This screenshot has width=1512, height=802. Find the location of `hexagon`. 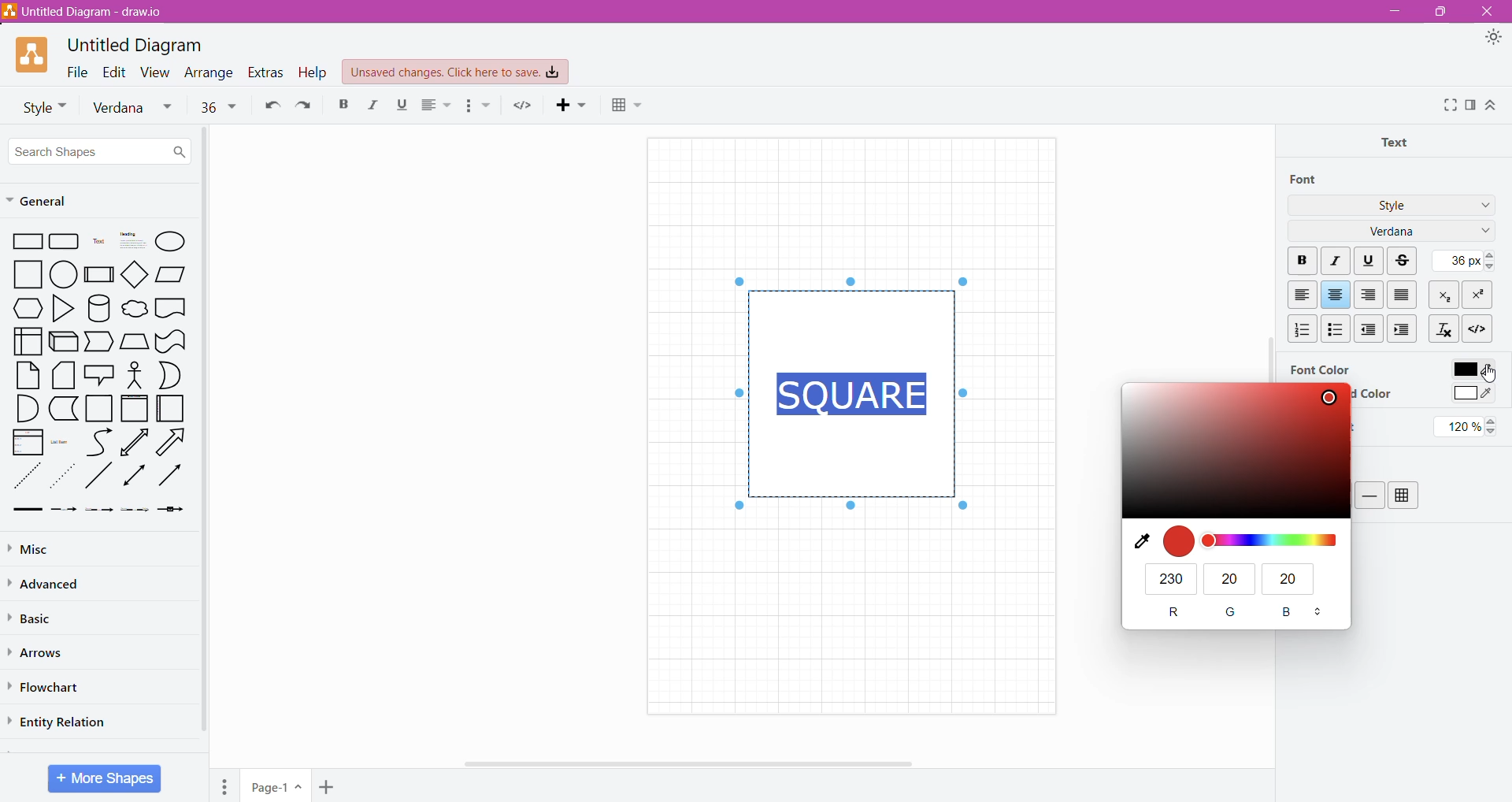

hexagon is located at coordinates (27, 308).